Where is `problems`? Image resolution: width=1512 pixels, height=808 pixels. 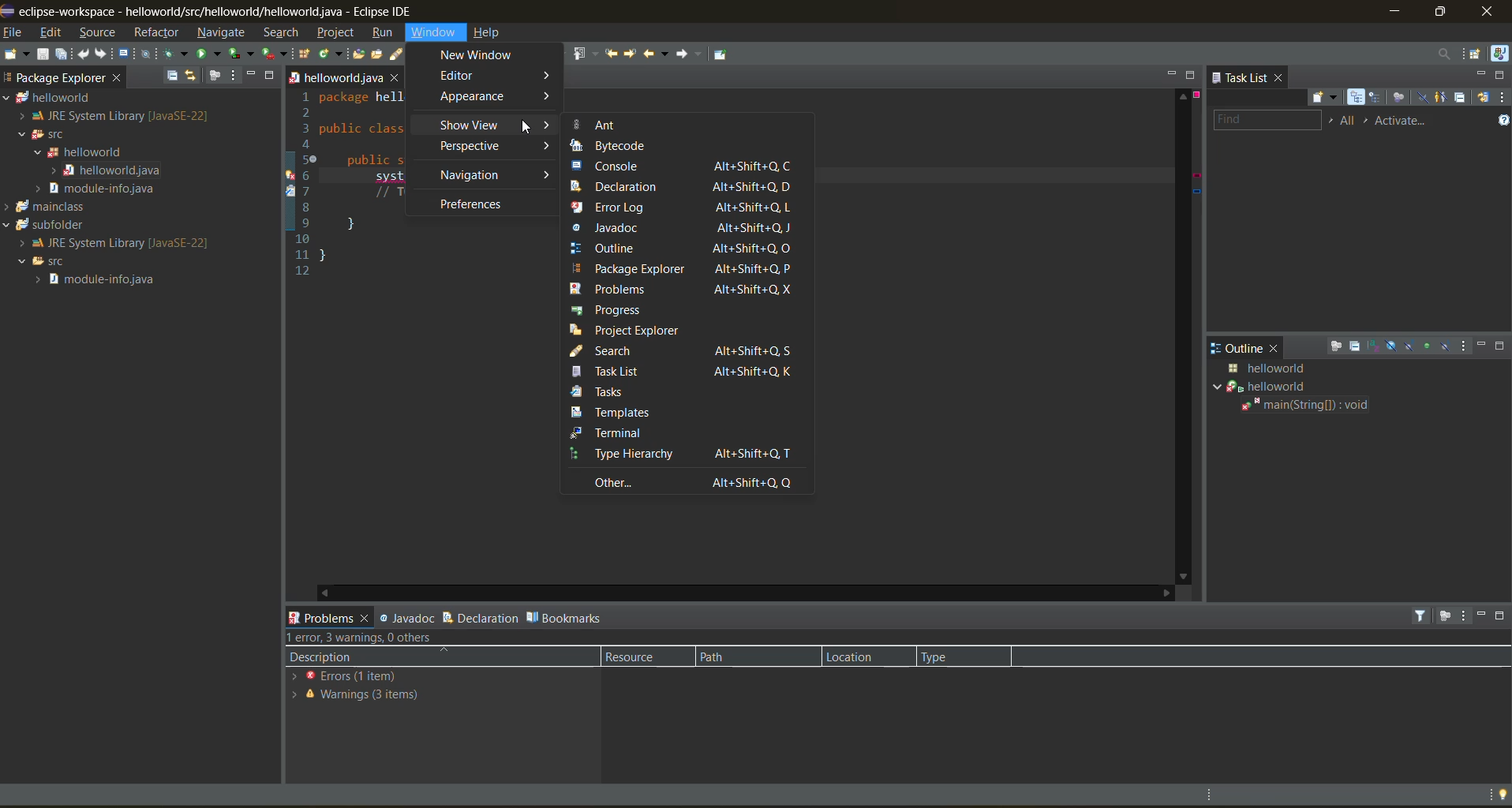 problems is located at coordinates (326, 618).